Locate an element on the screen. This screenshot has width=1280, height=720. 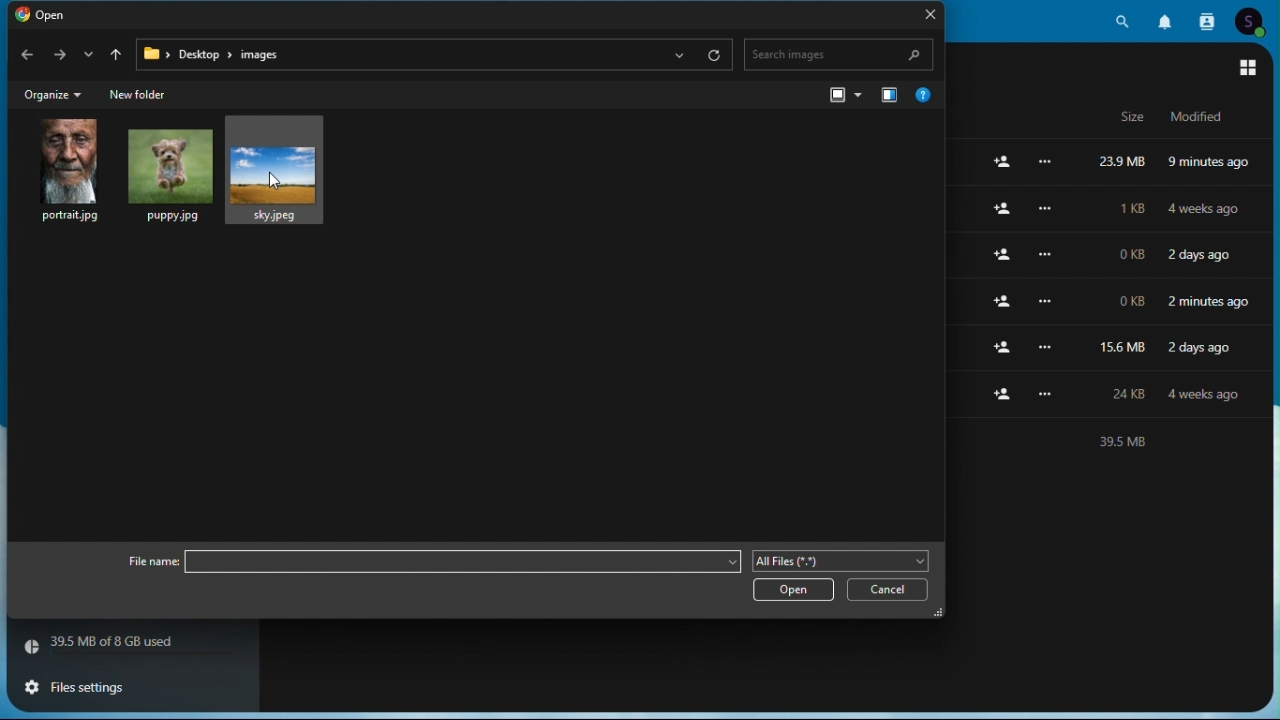
Help is located at coordinates (923, 92).